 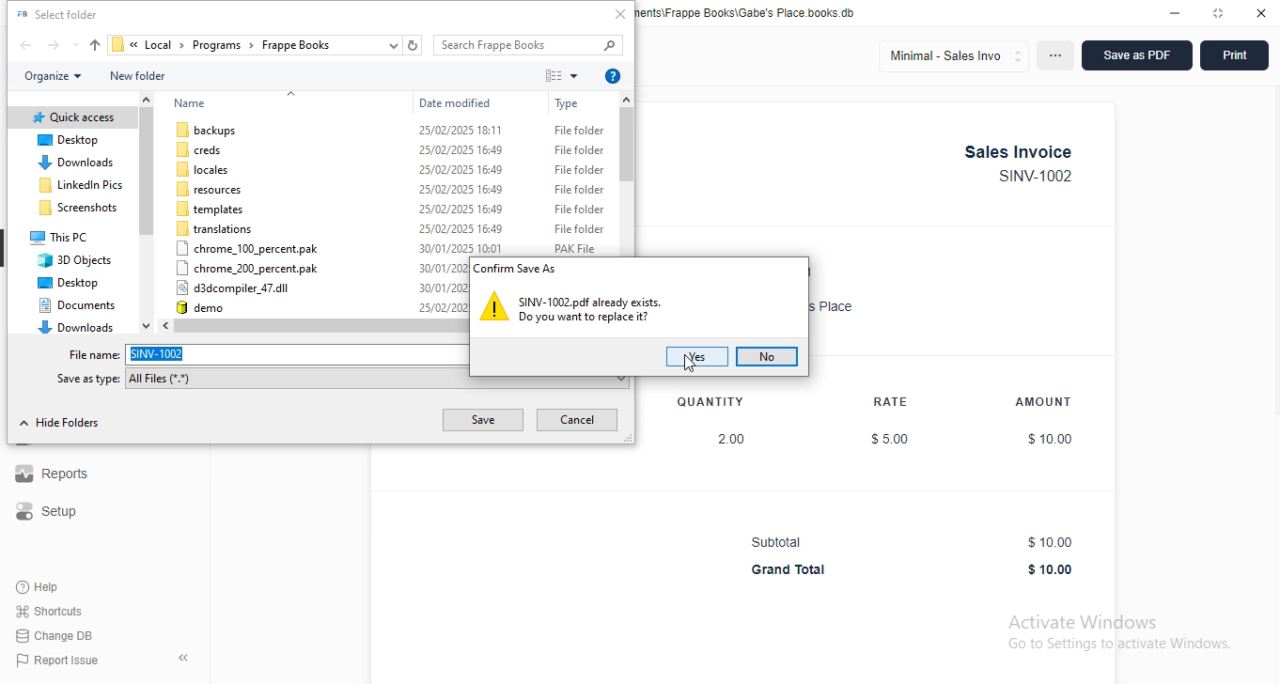 What do you see at coordinates (95, 355) in the screenshot?
I see `file name:` at bounding box center [95, 355].